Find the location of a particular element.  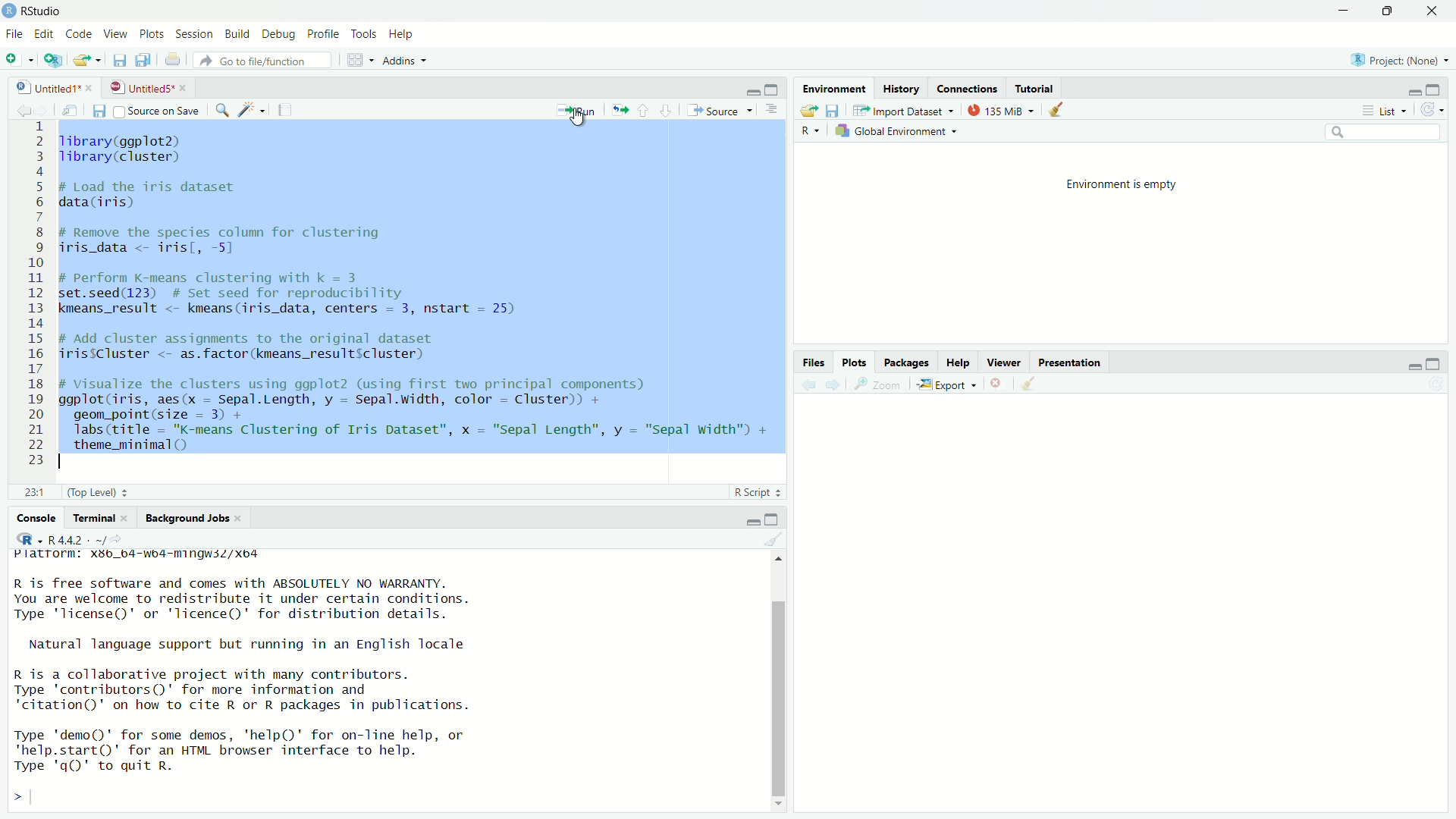

Natural language support but running in an English locale is located at coordinates (266, 645).